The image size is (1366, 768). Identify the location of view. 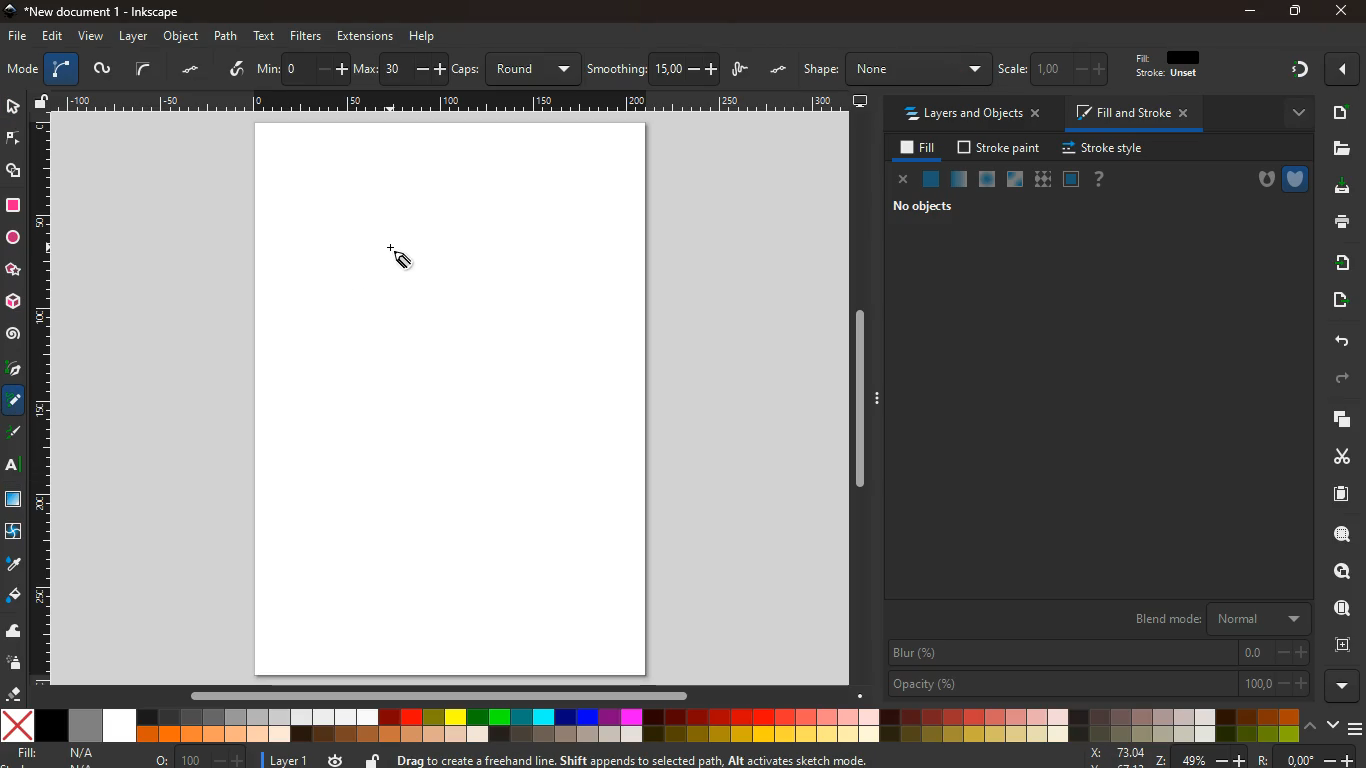
(92, 37).